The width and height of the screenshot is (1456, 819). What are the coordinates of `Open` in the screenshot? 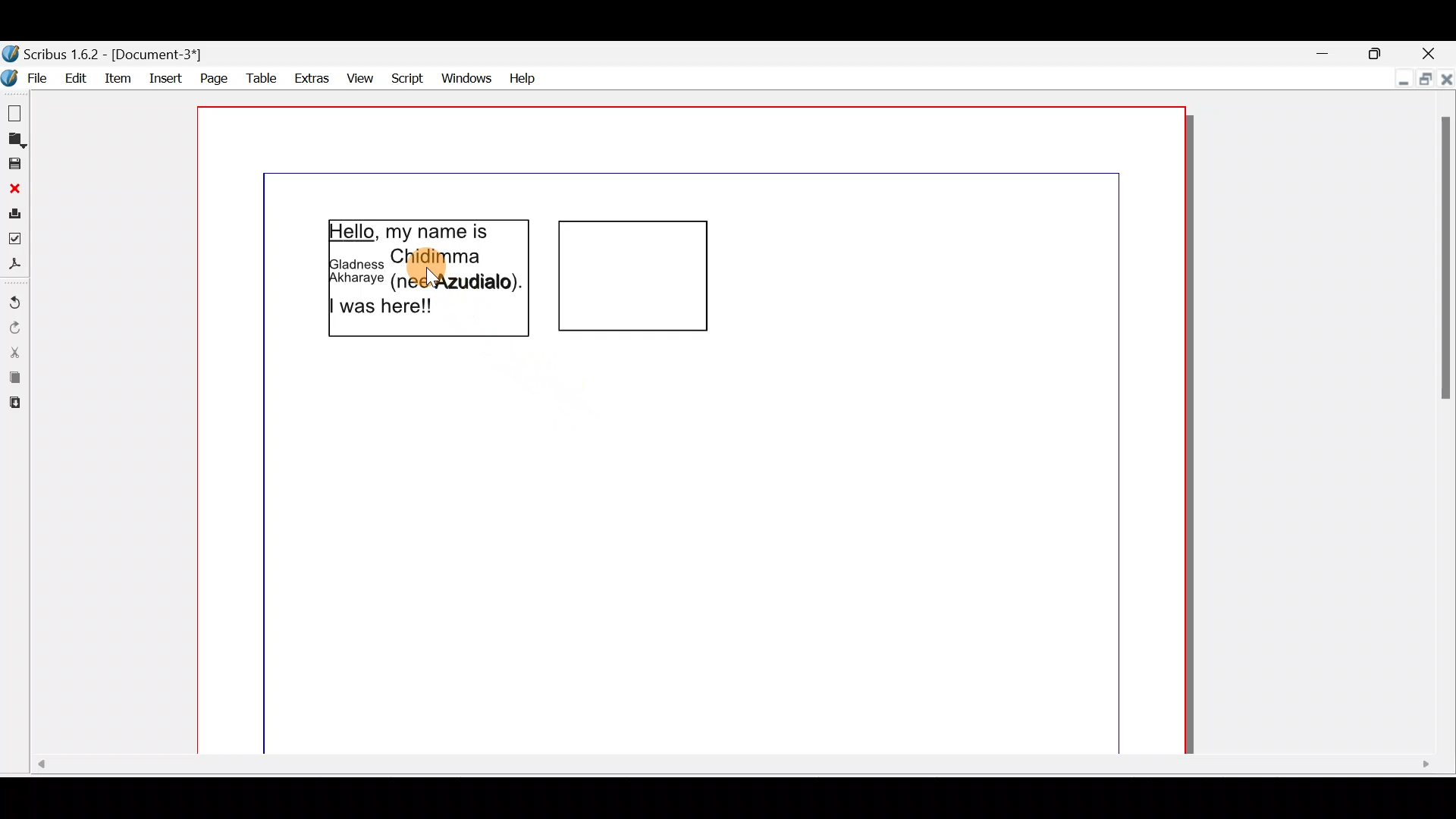 It's located at (15, 140).